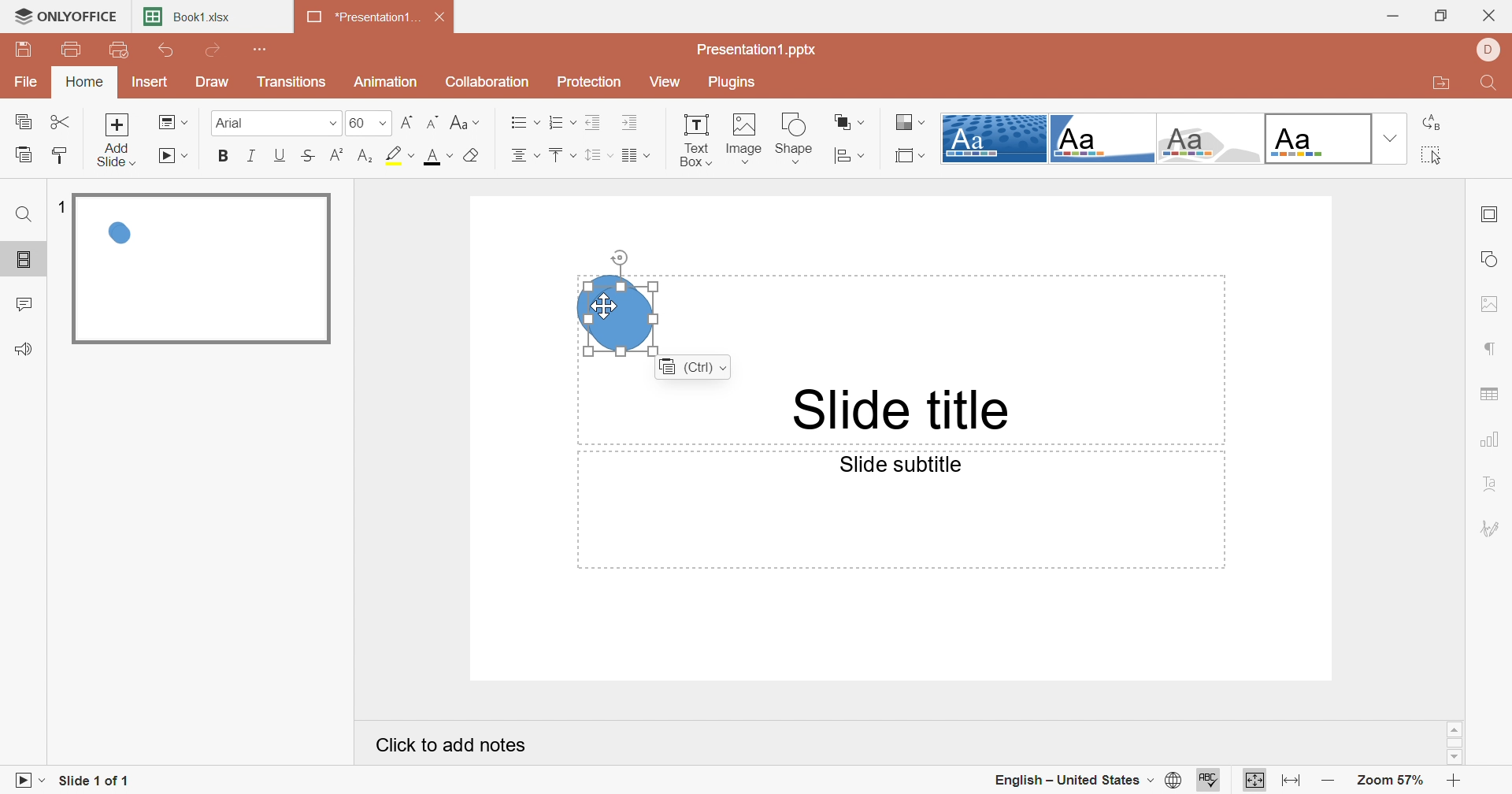 The width and height of the screenshot is (1512, 794). What do you see at coordinates (363, 17) in the screenshot?
I see `Presentation1...` at bounding box center [363, 17].